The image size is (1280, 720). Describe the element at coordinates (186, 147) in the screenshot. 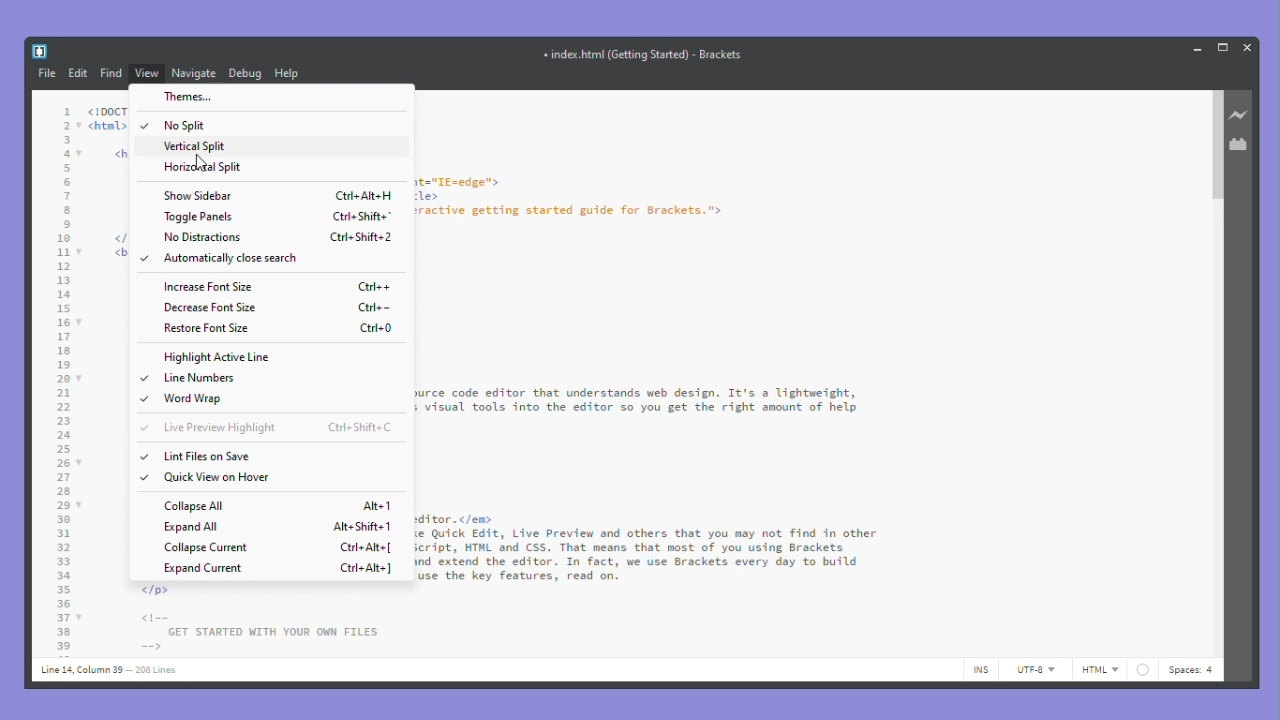

I see `Vertical split` at that location.